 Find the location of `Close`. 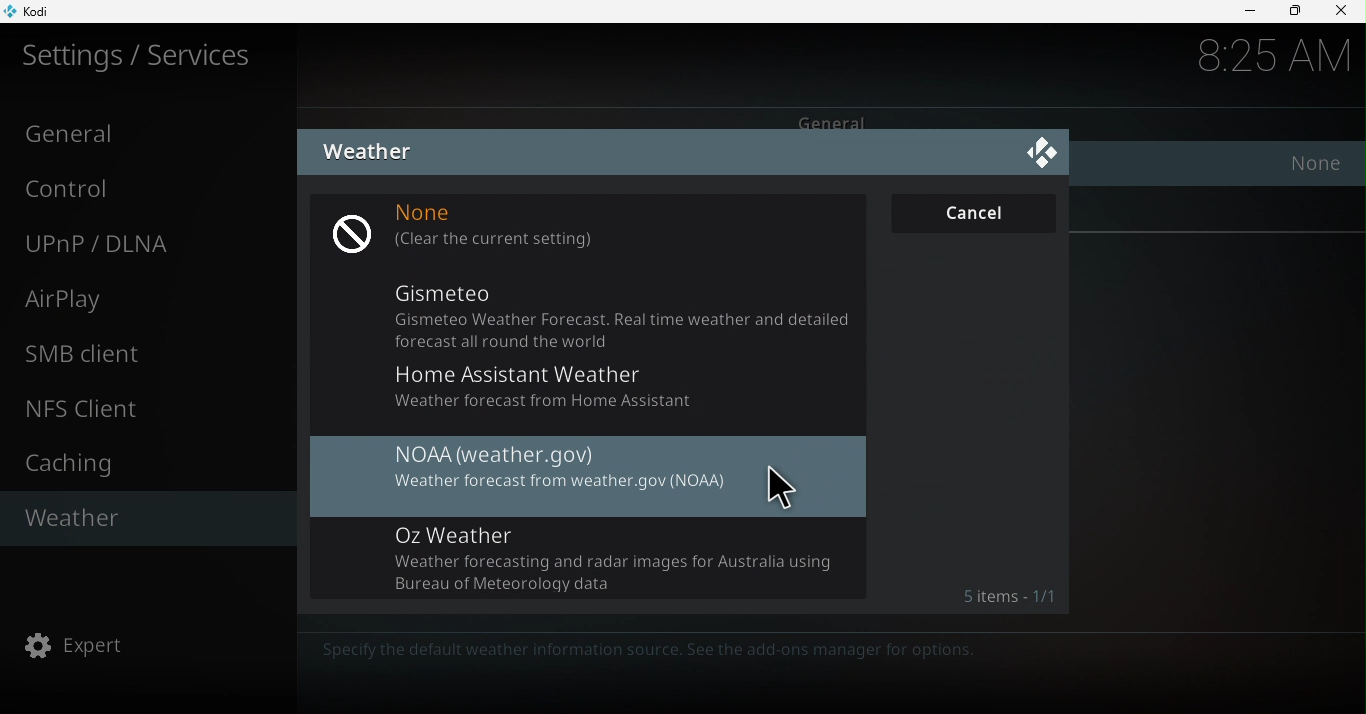

Close is located at coordinates (1047, 153).